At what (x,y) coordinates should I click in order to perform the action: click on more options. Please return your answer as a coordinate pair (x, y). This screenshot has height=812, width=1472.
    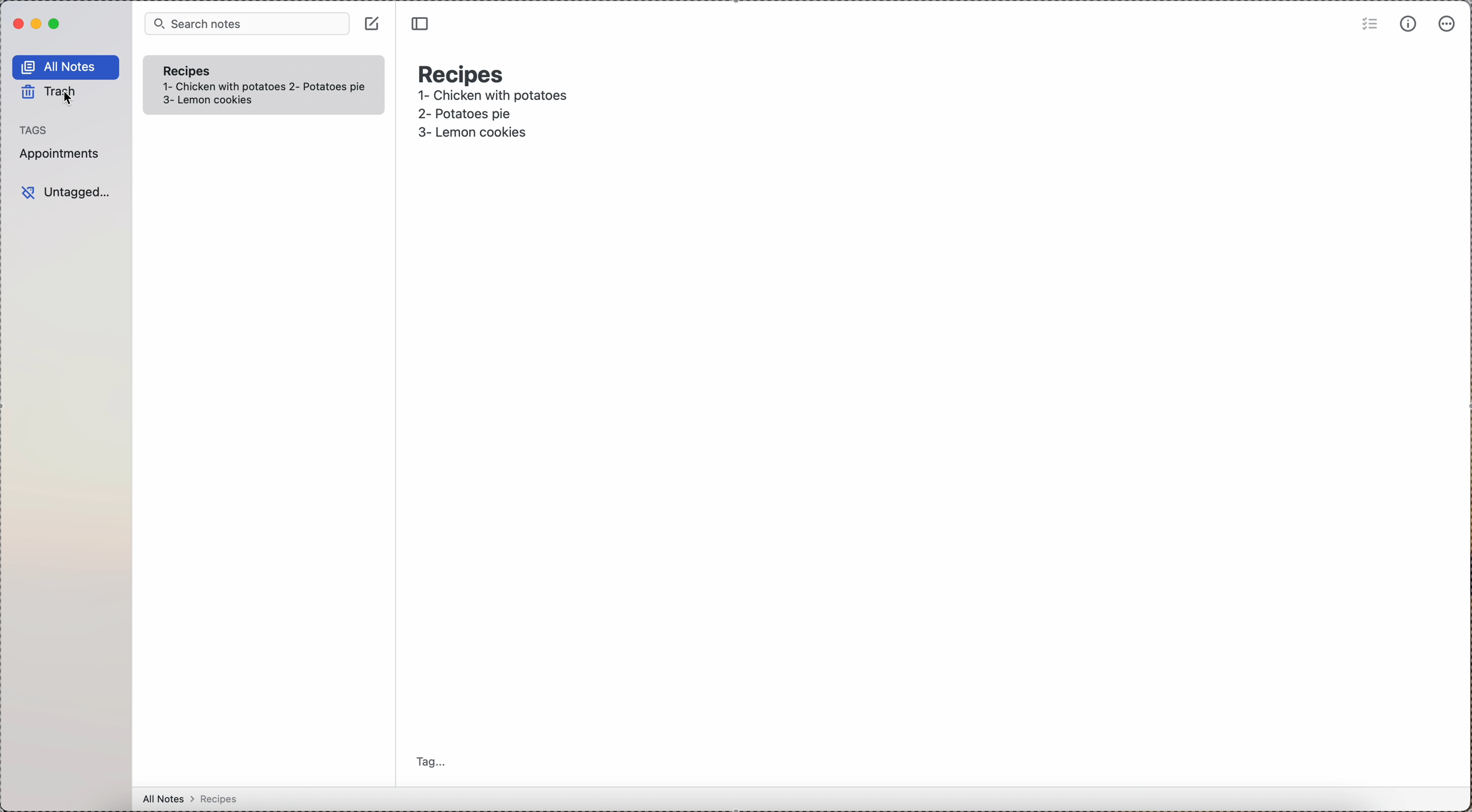
    Looking at the image, I should click on (1447, 25).